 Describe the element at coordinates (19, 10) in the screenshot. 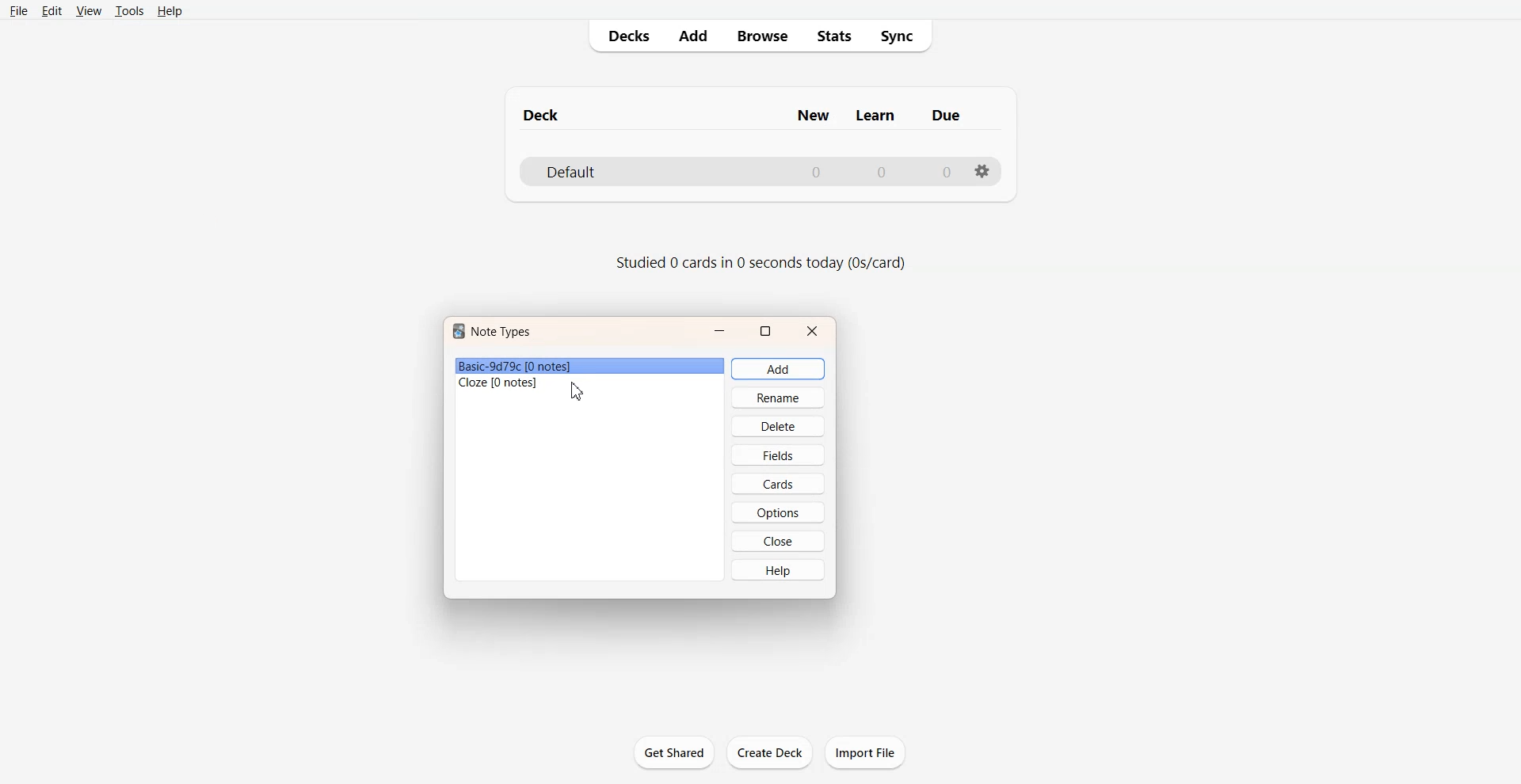

I see `File` at that location.